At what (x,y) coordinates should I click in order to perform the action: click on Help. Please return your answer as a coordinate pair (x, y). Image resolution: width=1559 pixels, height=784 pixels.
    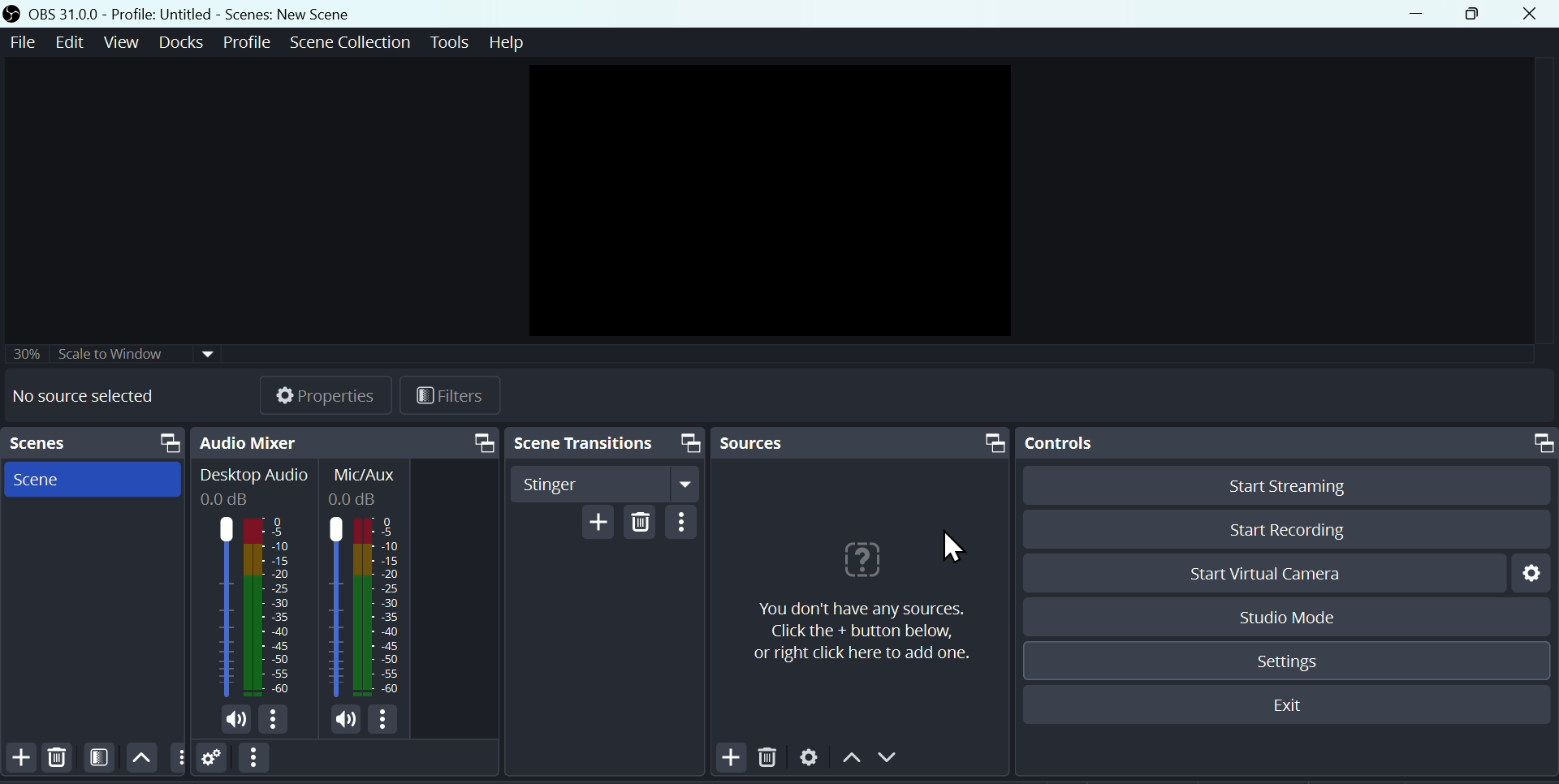
    Looking at the image, I should click on (506, 43).